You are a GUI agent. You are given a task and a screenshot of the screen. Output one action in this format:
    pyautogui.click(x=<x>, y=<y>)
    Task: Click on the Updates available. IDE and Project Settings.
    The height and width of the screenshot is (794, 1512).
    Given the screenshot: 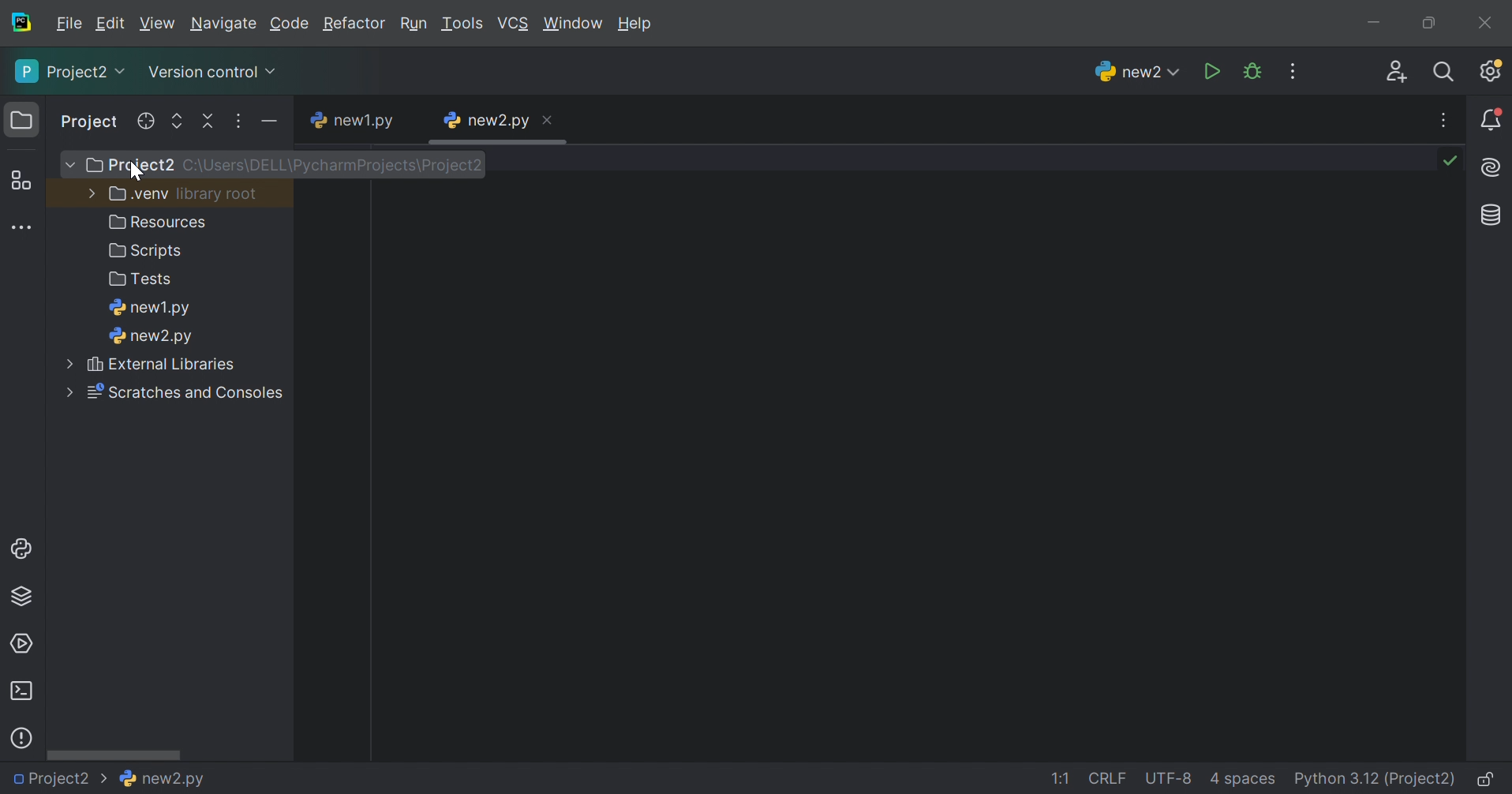 What is the action you would take?
    pyautogui.click(x=1295, y=71)
    